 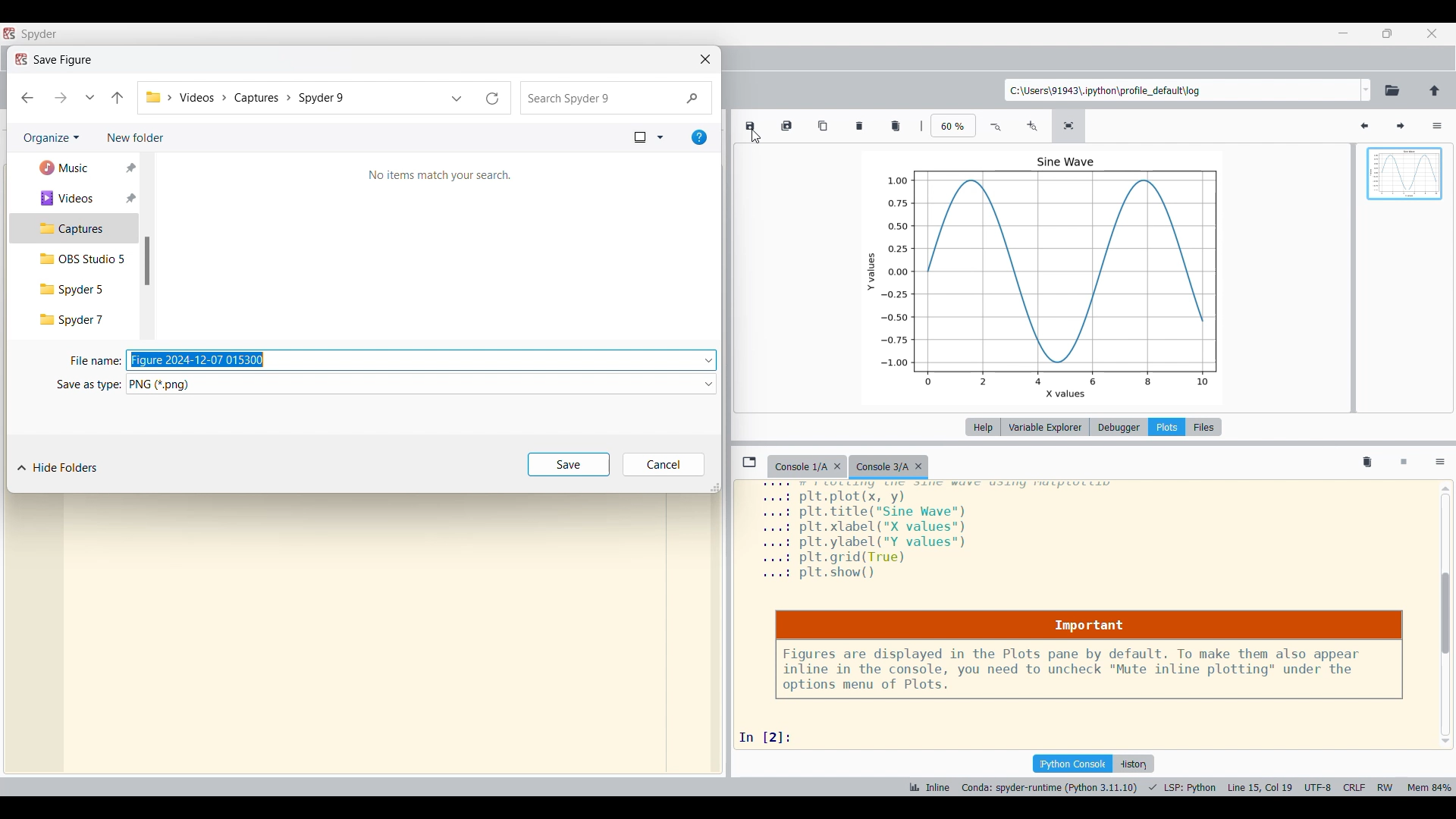 I want to click on Format options, so click(x=421, y=384).